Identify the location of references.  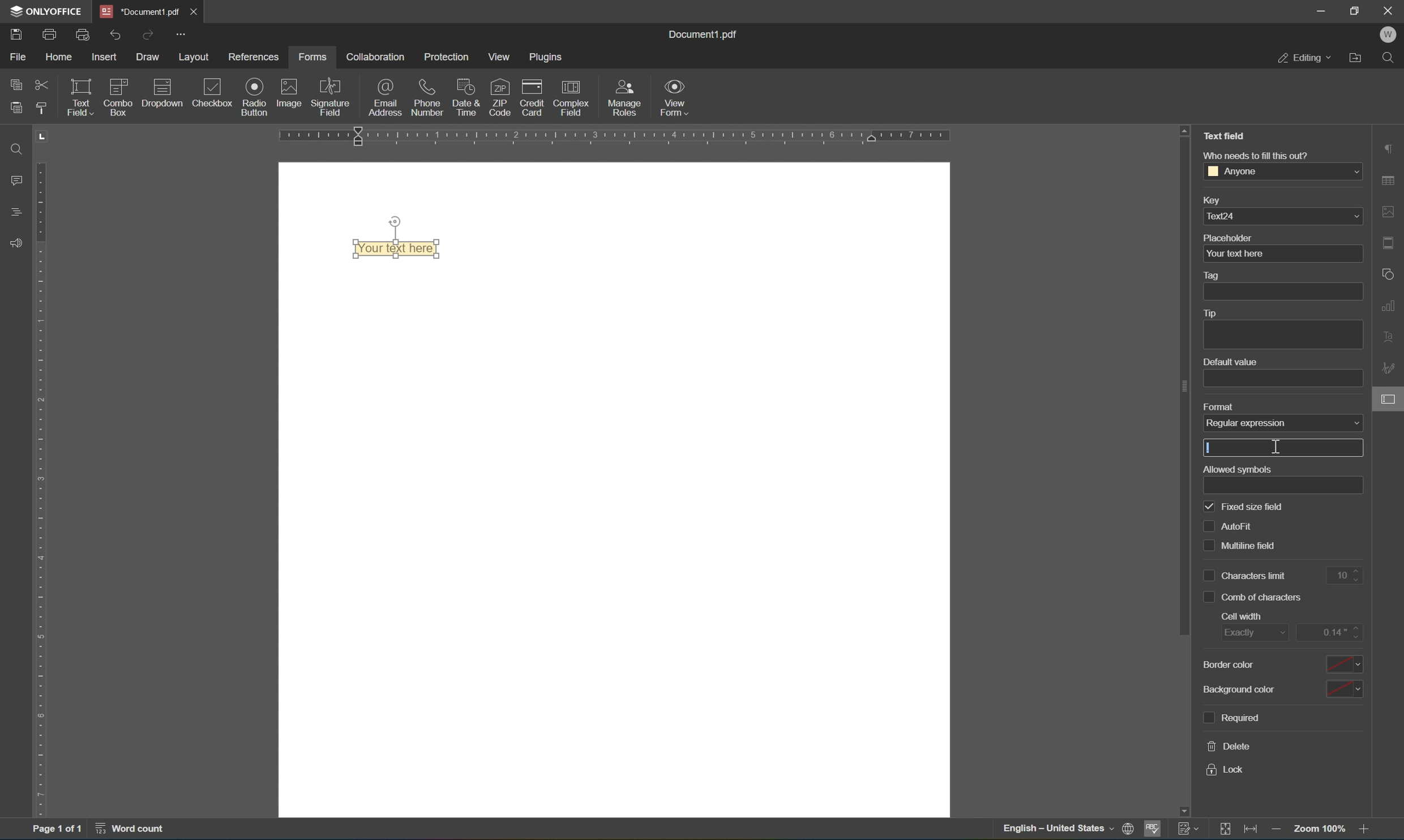
(256, 57).